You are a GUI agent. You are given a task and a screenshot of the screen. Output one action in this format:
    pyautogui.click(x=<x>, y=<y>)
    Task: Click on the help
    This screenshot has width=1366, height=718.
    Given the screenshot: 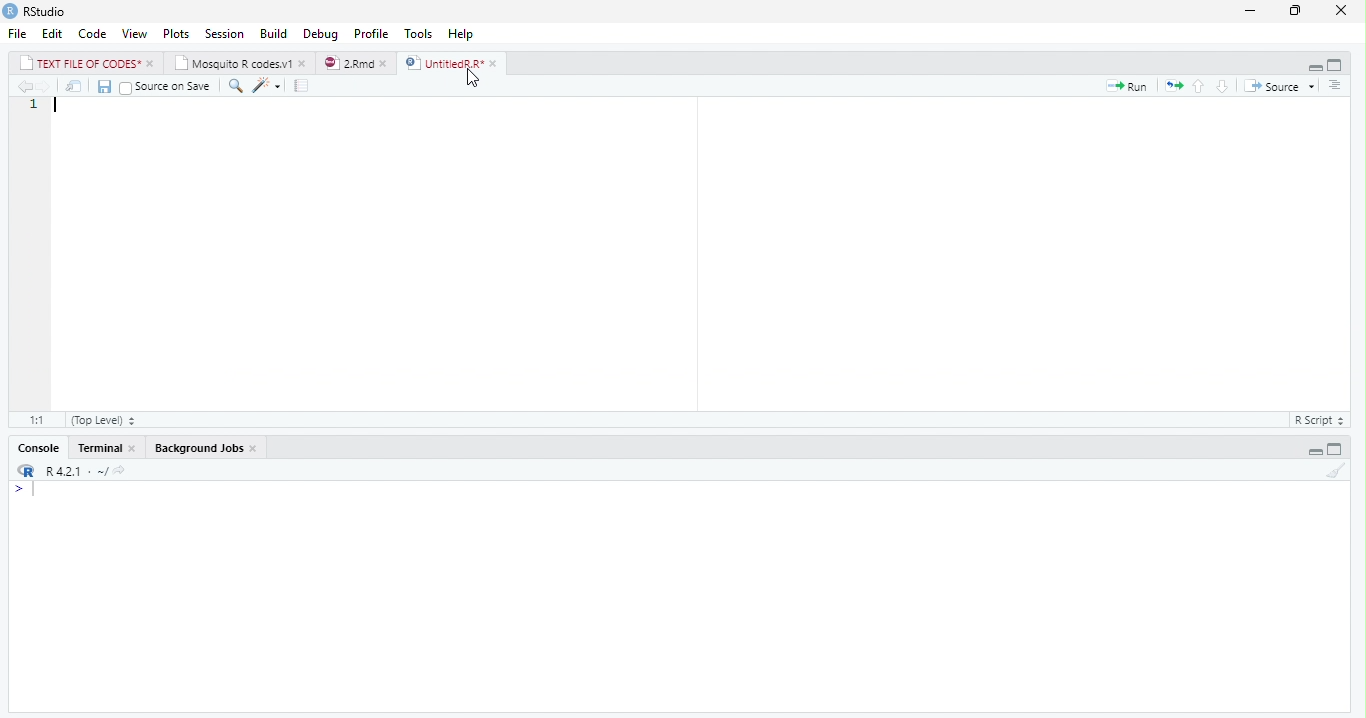 What is the action you would take?
    pyautogui.click(x=461, y=34)
    